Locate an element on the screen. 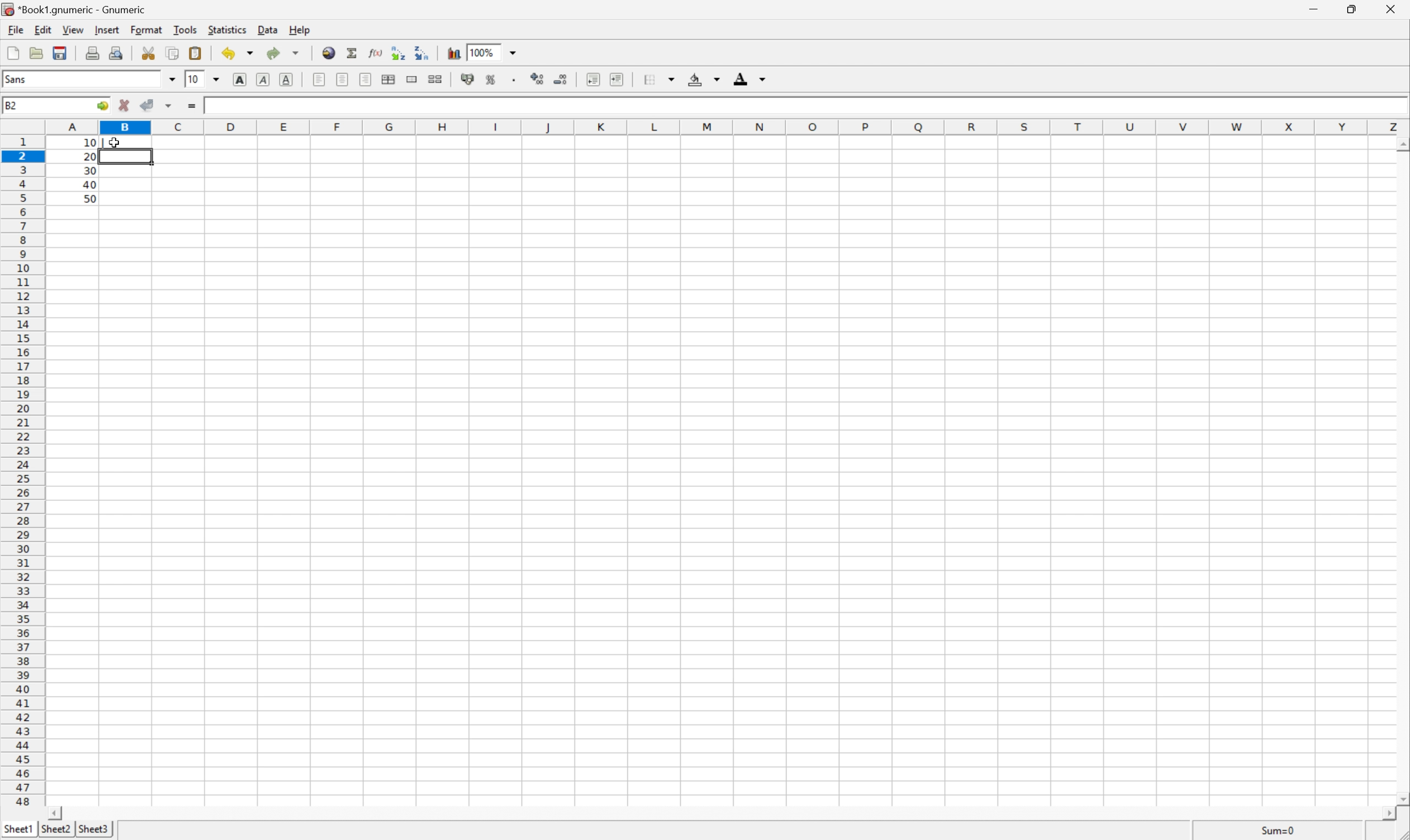  Underline is located at coordinates (287, 79).